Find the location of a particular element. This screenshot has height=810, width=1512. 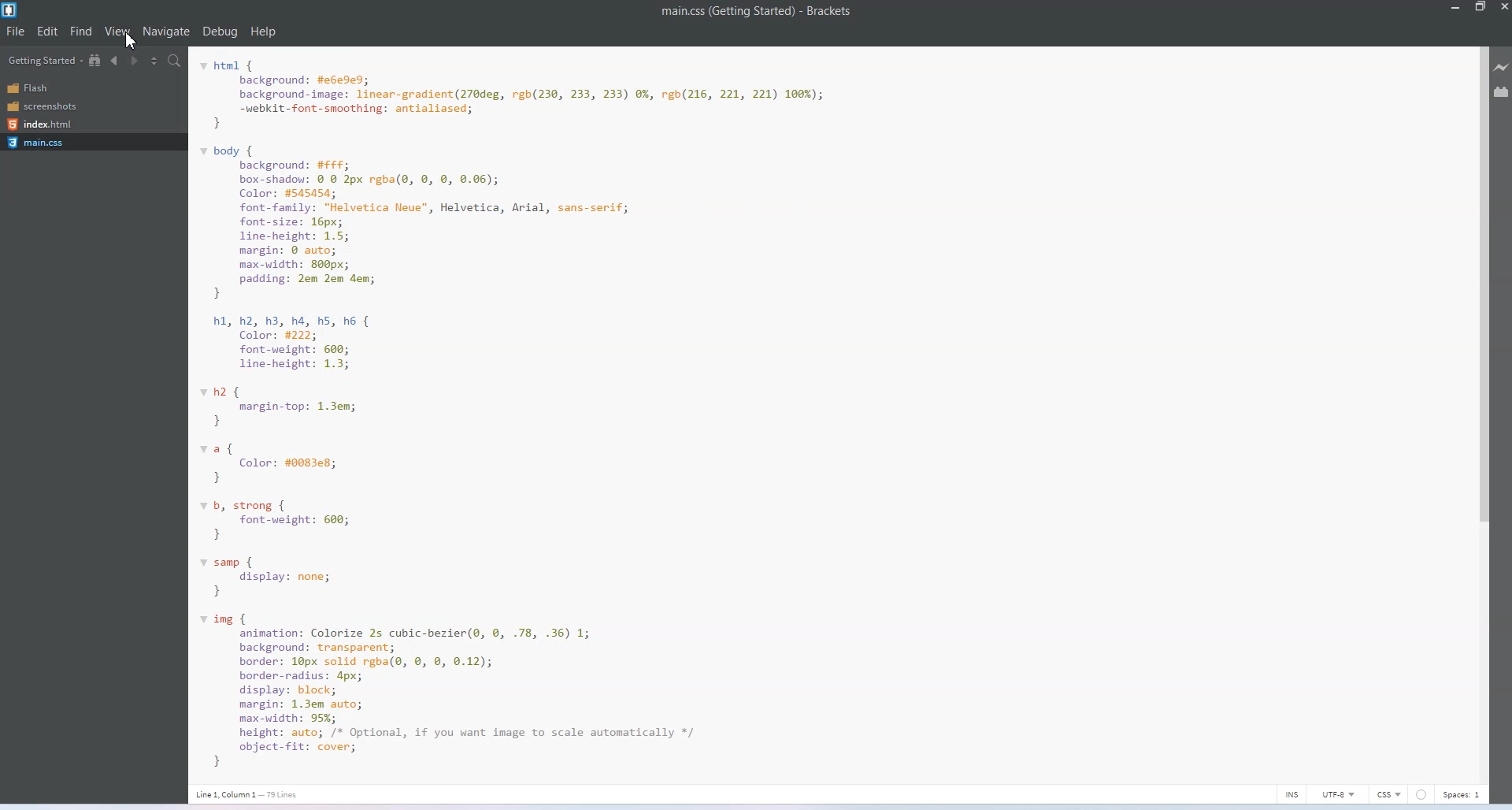

Debug is located at coordinates (220, 32).